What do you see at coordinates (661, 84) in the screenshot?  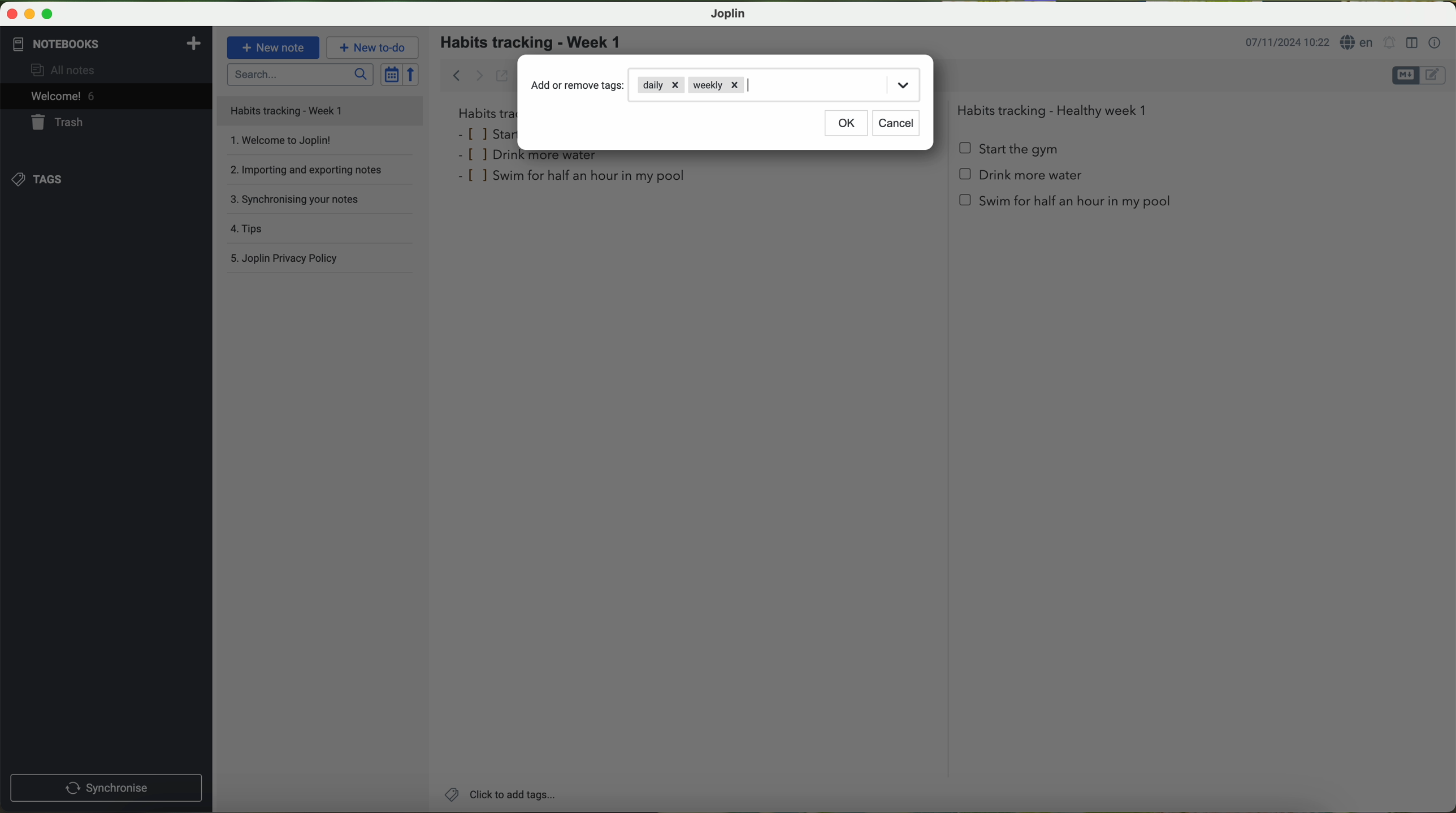 I see `daily tag` at bounding box center [661, 84].